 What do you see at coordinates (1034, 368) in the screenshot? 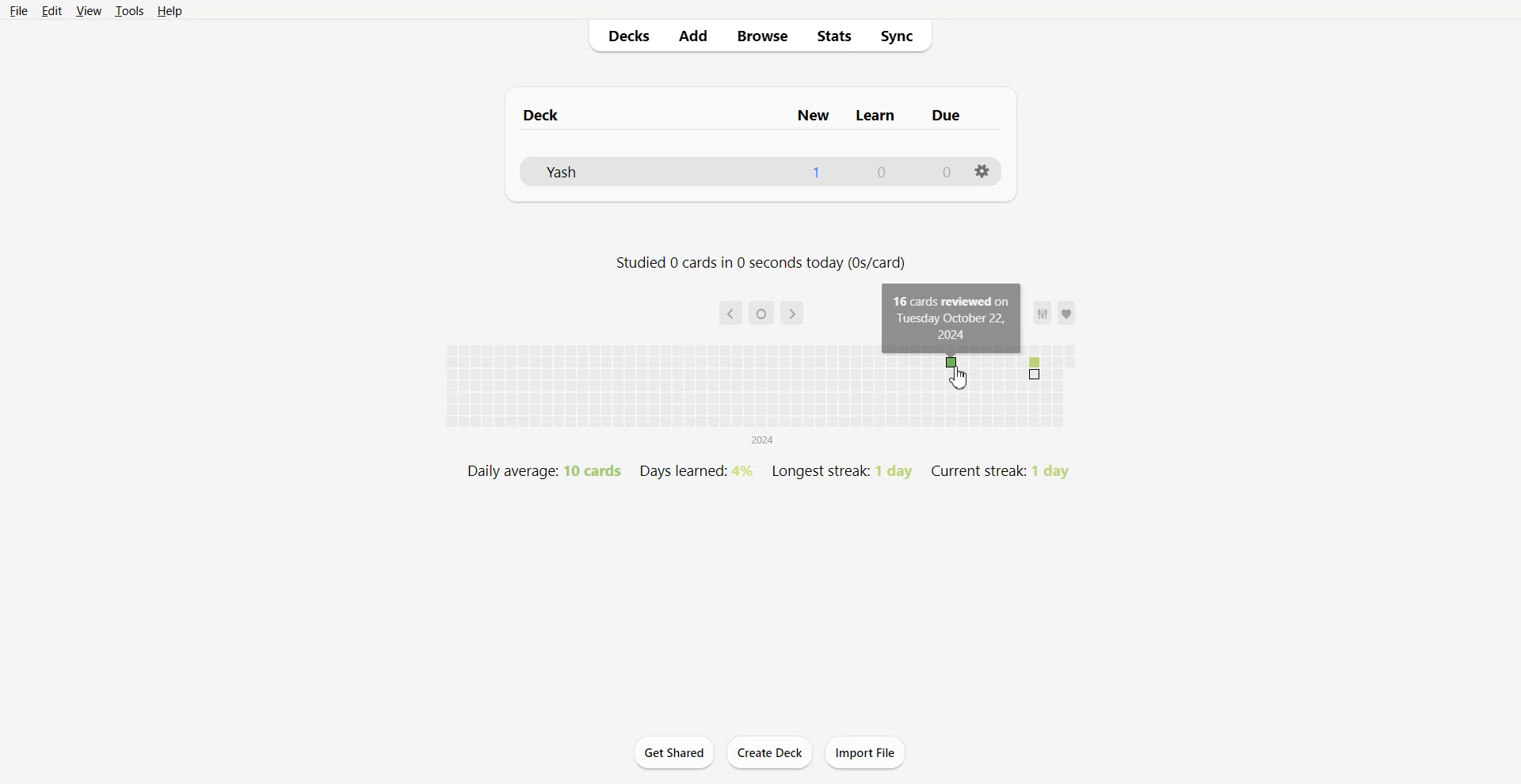
I see `number of cards reviewed` at bounding box center [1034, 368].